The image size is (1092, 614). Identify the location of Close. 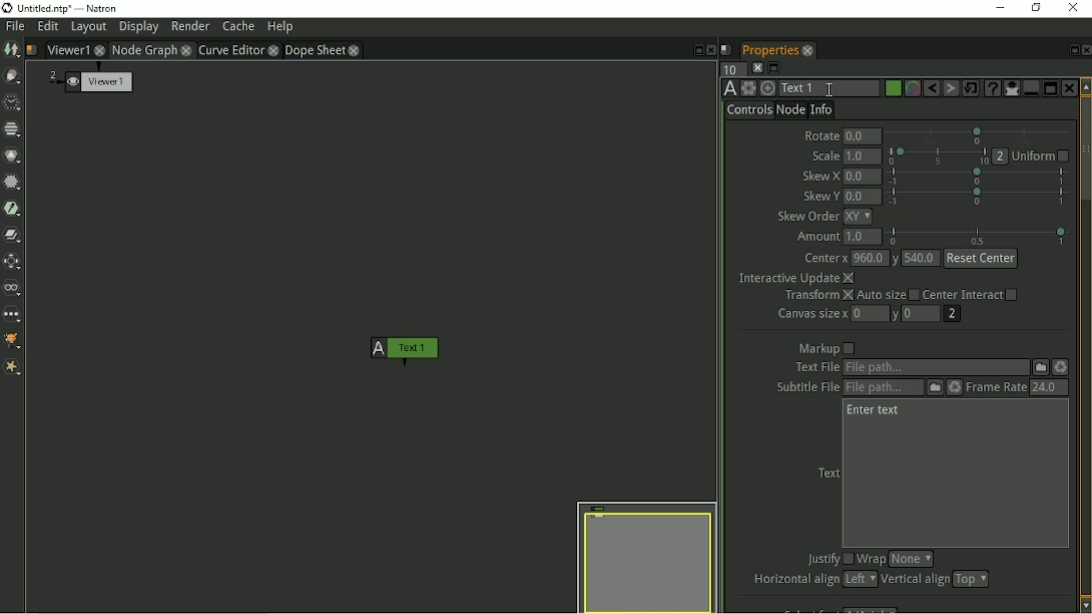
(712, 51).